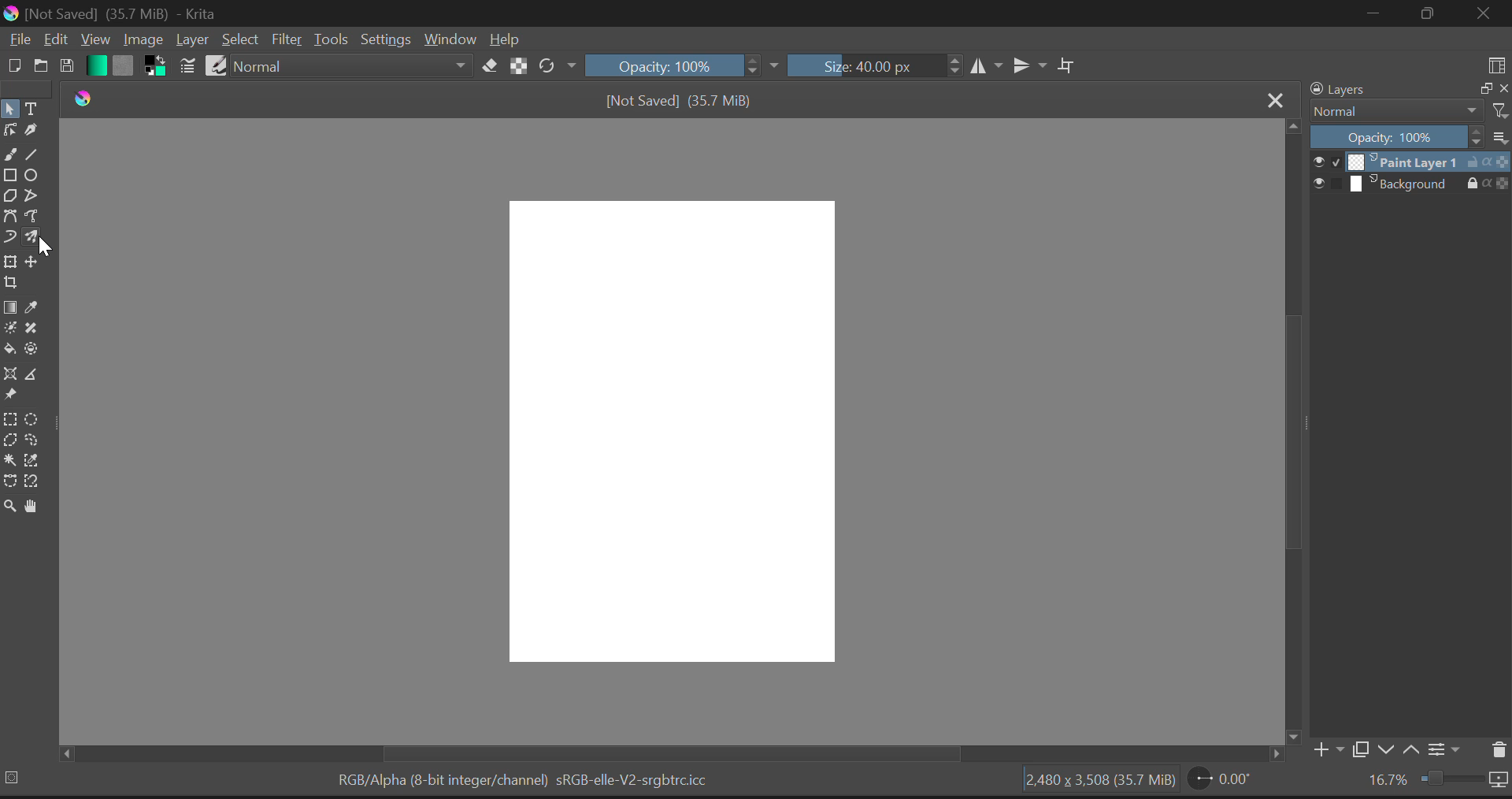  Describe the element at coordinates (38, 418) in the screenshot. I see `Circular Selection` at that location.